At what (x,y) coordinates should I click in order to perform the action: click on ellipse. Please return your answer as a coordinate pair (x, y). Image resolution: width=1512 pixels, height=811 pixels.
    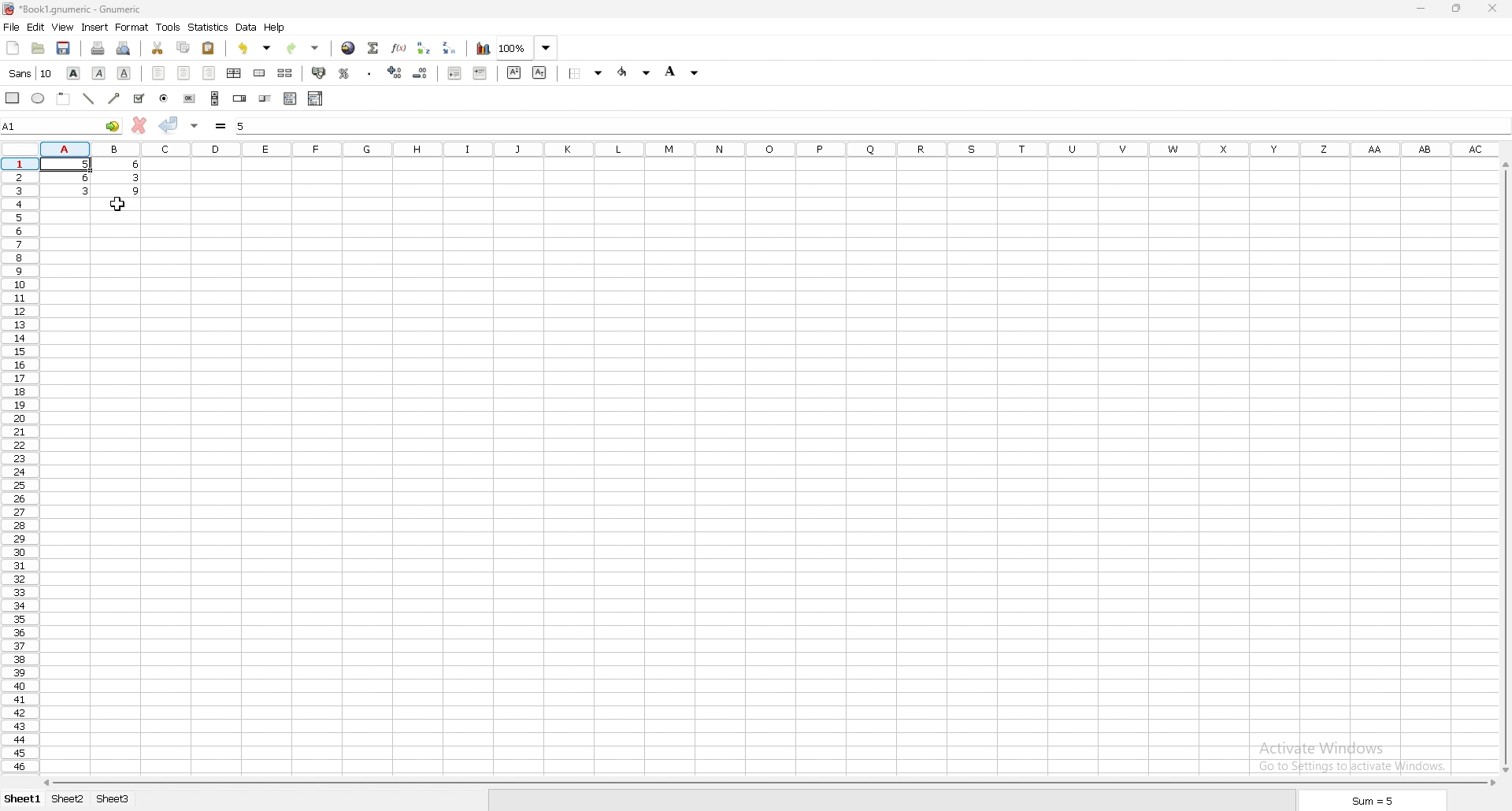
    Looking at the image, I should click on (38, 98).